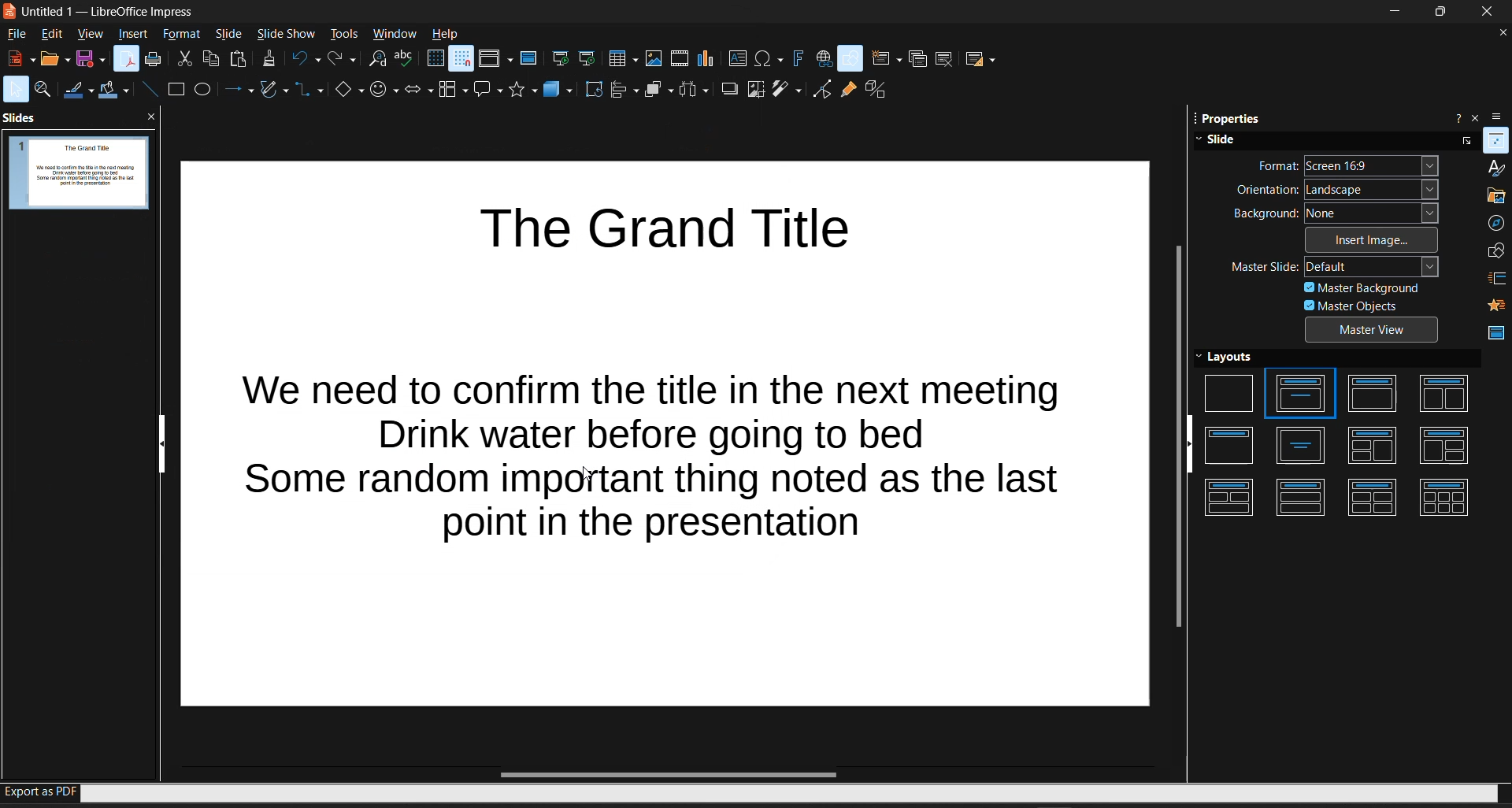  I want to click on toggle extrusion, so click(876, 91).